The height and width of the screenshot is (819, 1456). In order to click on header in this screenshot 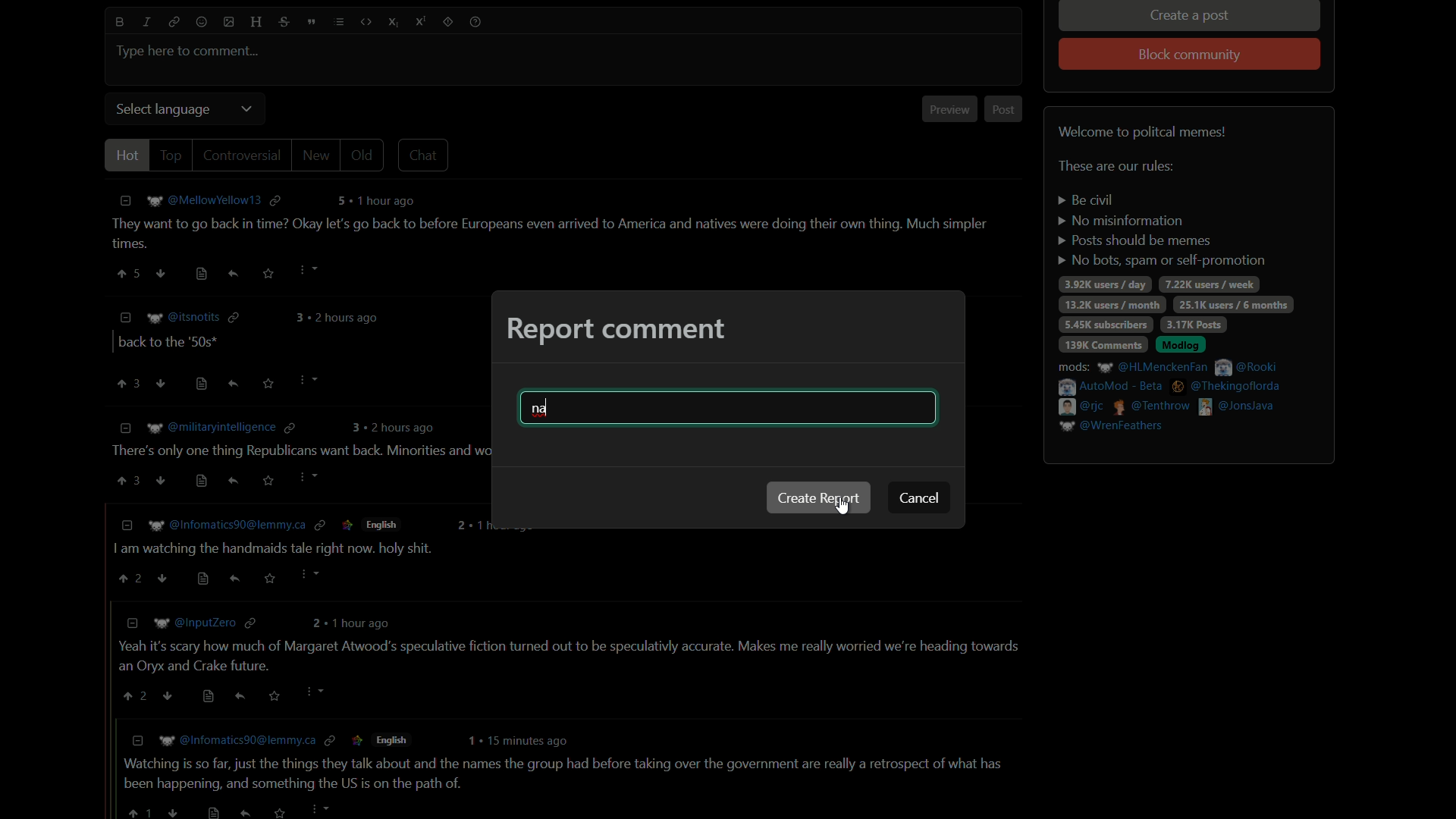, I will do `click(256, 23)`.